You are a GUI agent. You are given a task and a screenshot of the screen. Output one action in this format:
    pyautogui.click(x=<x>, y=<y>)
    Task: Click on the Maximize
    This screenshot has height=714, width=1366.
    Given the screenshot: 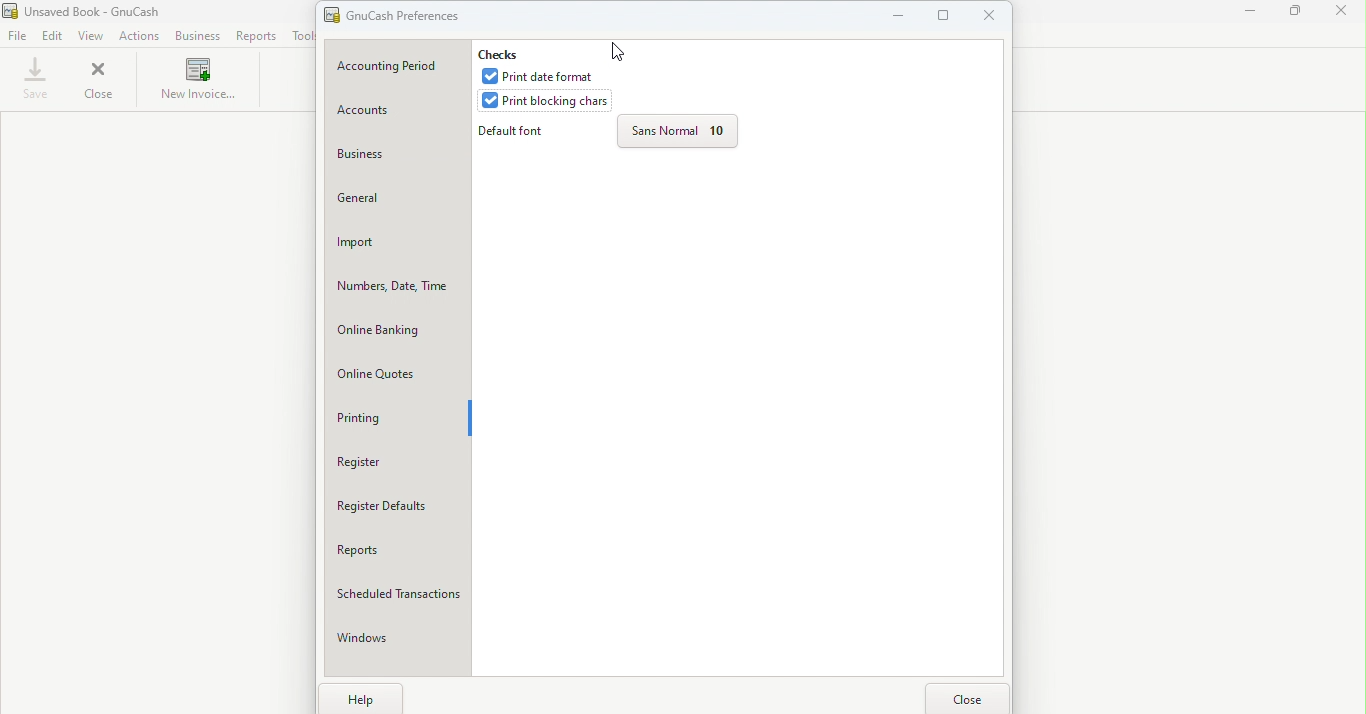 What is the action you would take?
    pyautogui.click(x=1300, y=15)
    